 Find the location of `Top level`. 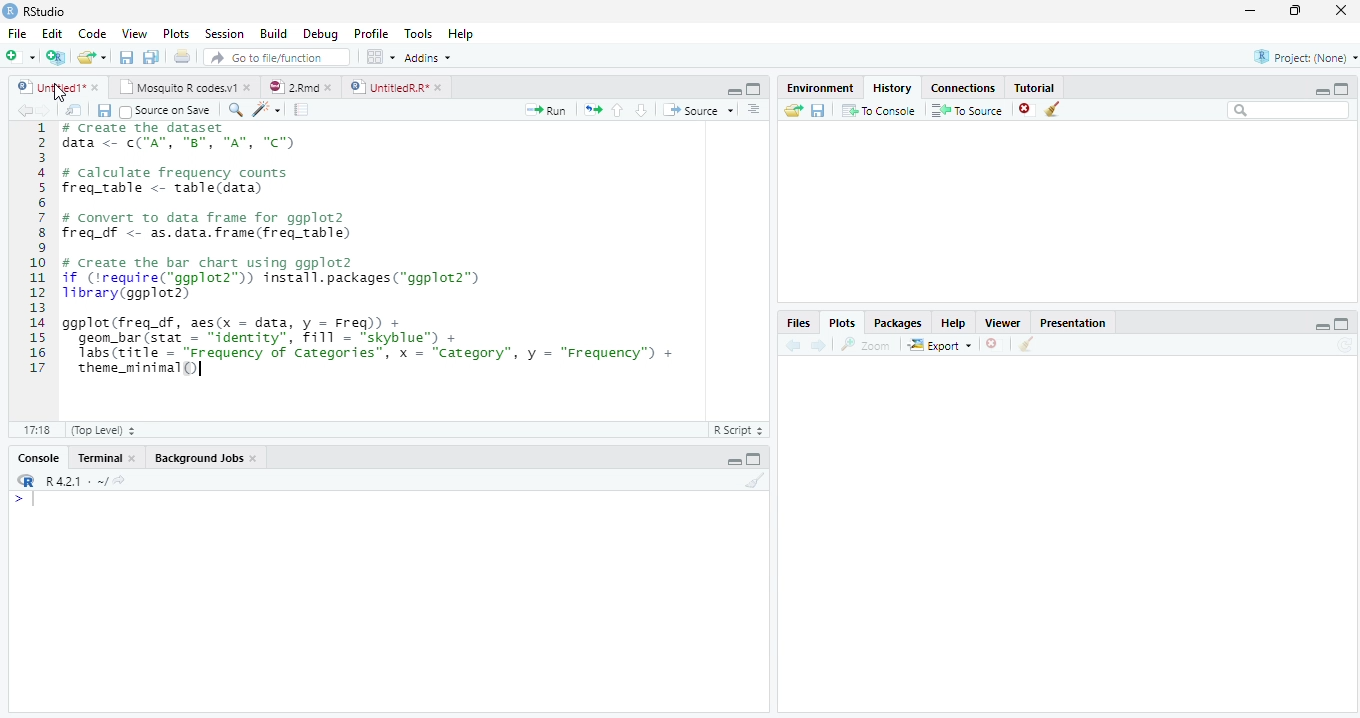

Top level is located at coordinates (99, 431).